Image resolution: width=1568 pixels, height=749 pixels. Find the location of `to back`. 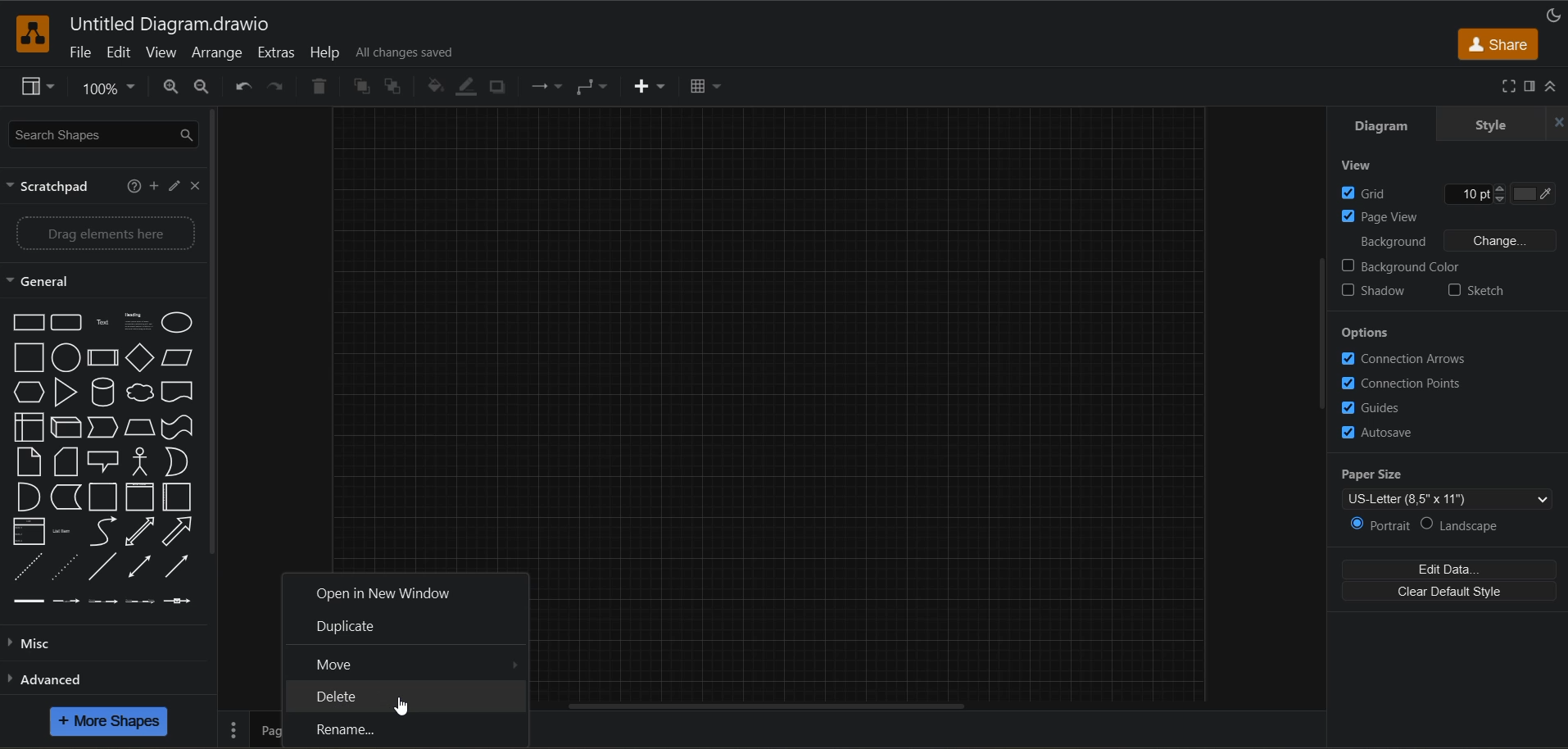

to back is located at coordinates (390, 87).